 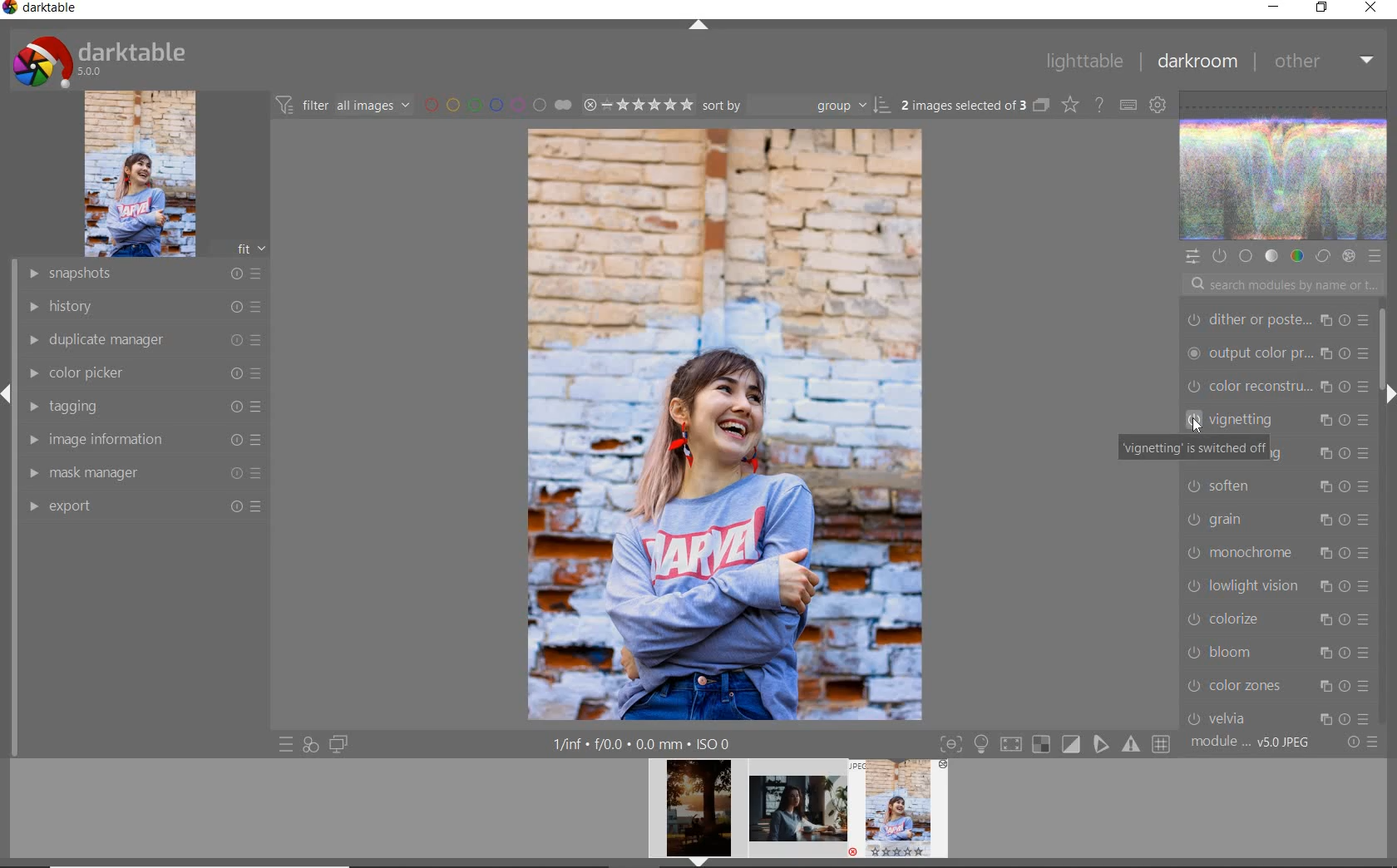 I want to click on LIGHTTABLE, so click(x=1084, y=61).